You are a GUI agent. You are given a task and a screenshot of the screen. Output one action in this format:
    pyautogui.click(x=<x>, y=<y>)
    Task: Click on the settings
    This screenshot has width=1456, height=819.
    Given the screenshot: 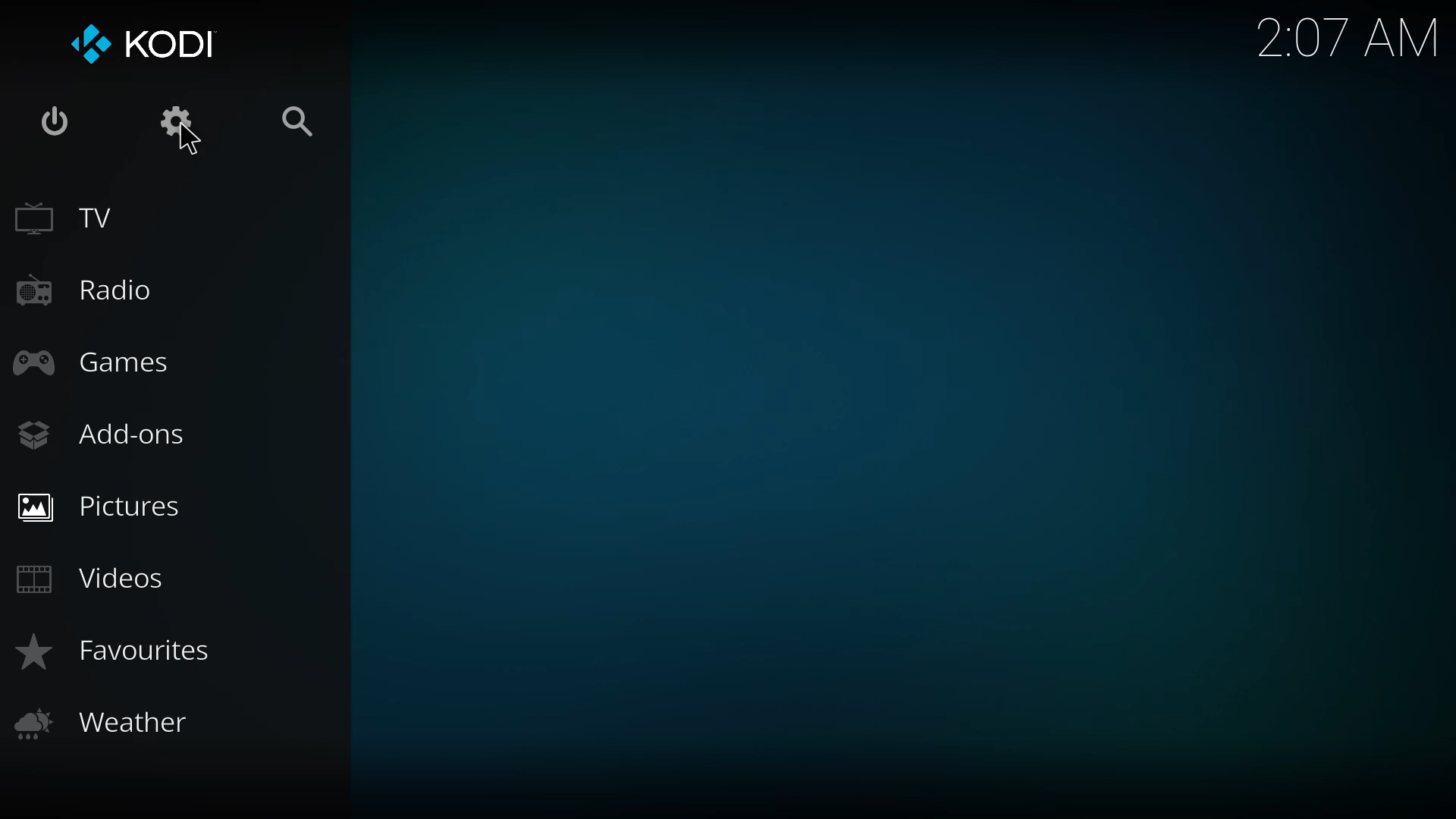 What is the action you would take?
    pyautogui.click(x=175, y=121)
    